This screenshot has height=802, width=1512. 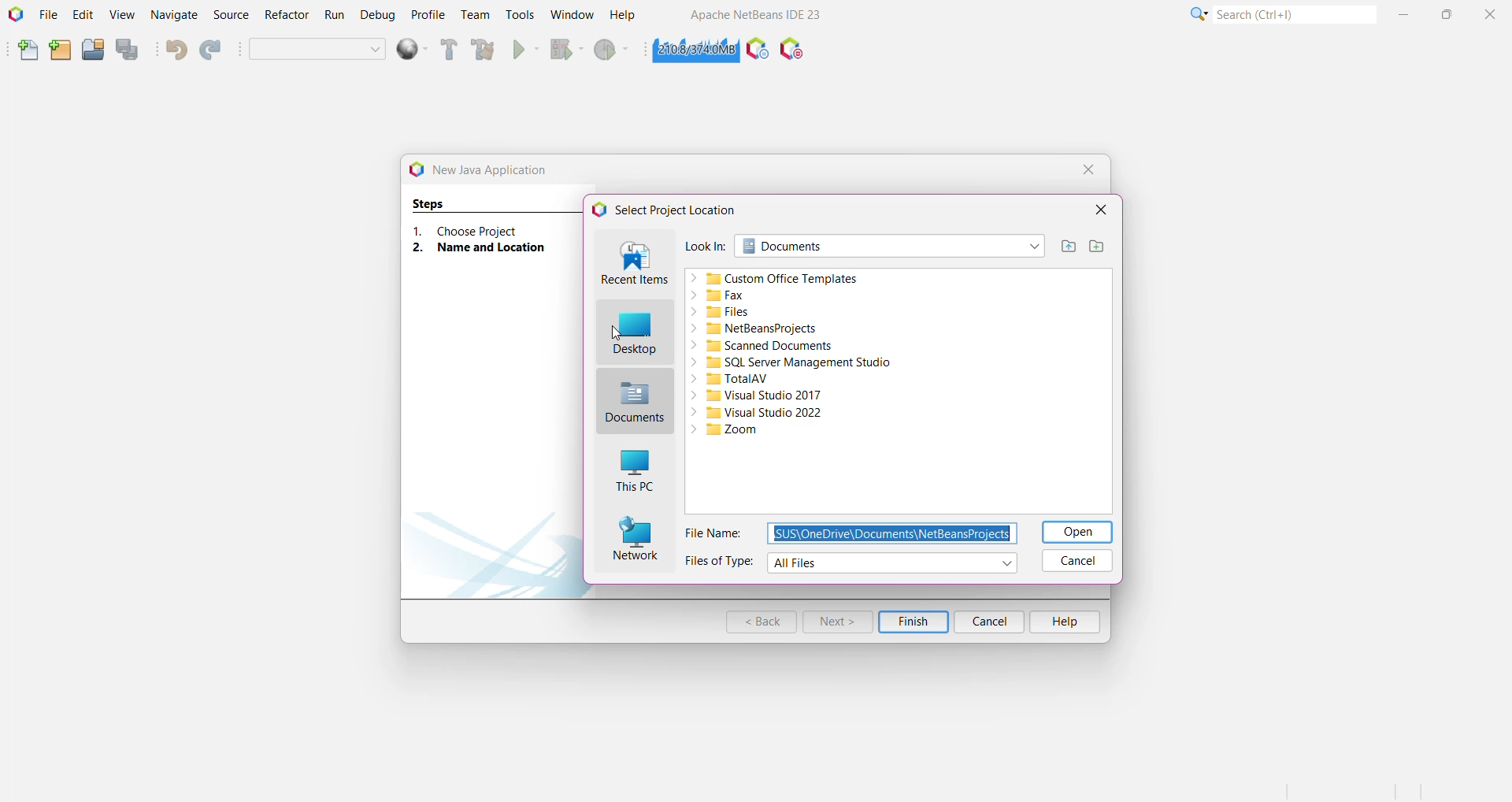 What do you see at coordinates (1295, 17) in the screenshot?
I see `Search` at bounding box center [1295, 17].